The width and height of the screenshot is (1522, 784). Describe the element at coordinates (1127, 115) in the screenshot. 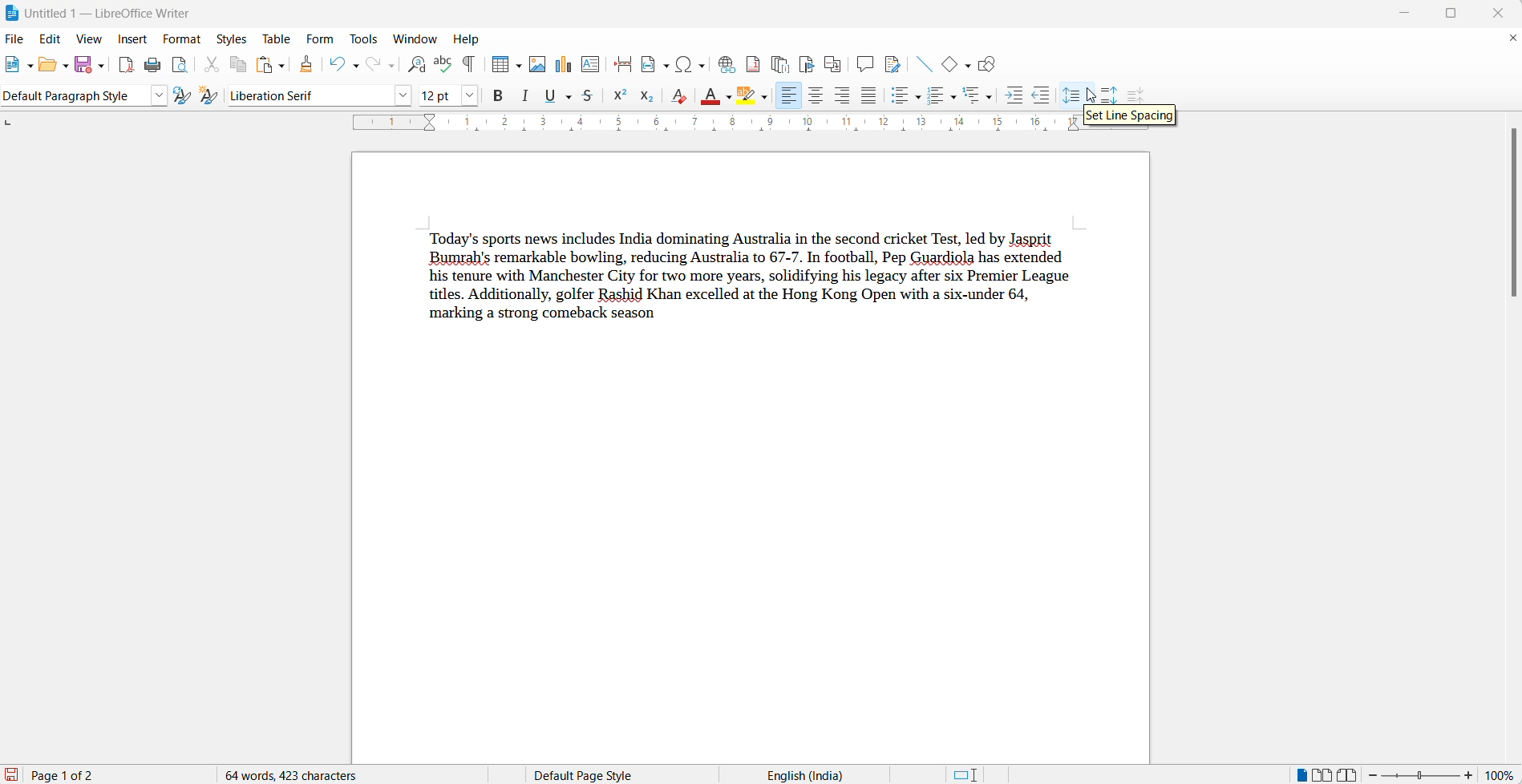

I see `hover text` at that location.